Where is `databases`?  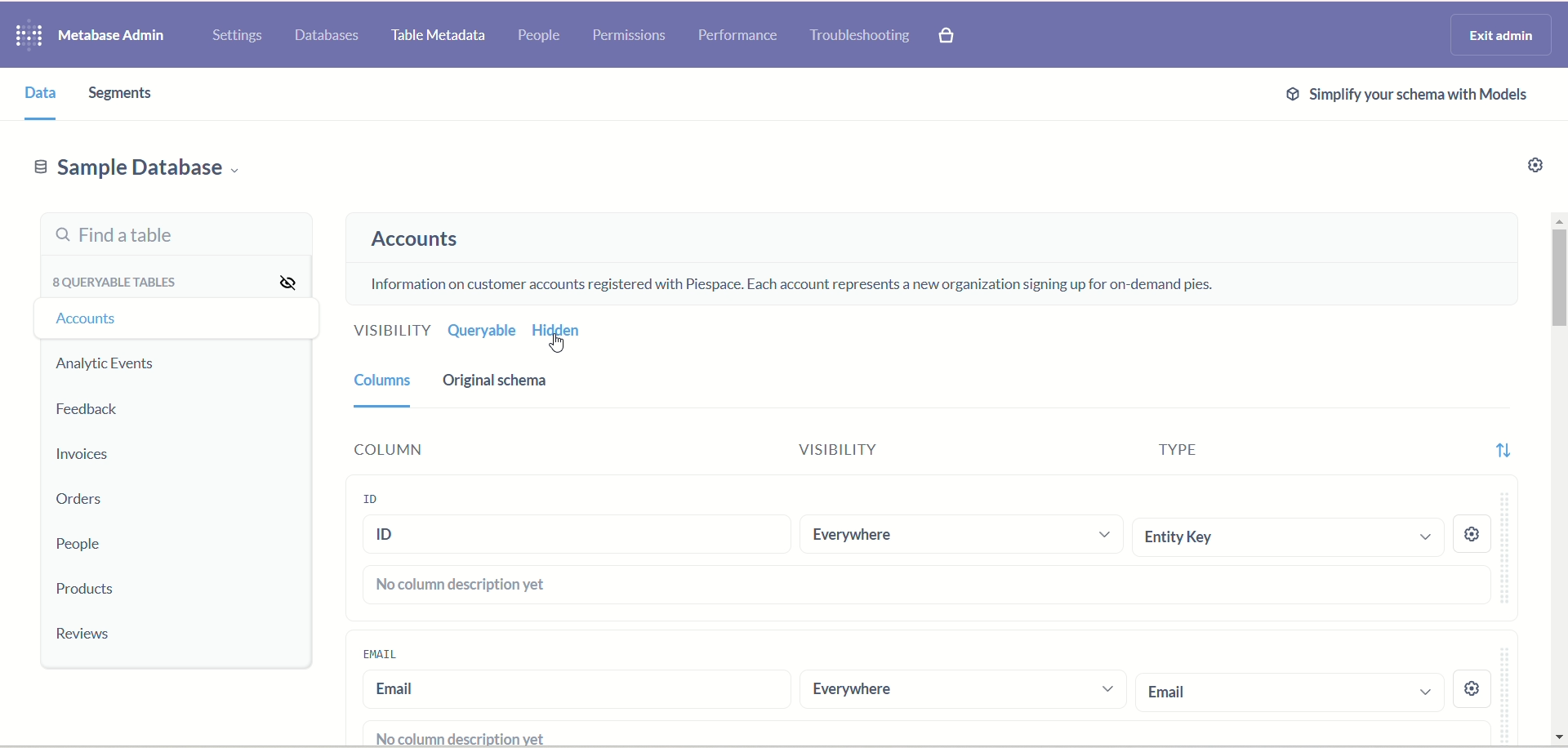
databases is located at coordinates (327, 38).